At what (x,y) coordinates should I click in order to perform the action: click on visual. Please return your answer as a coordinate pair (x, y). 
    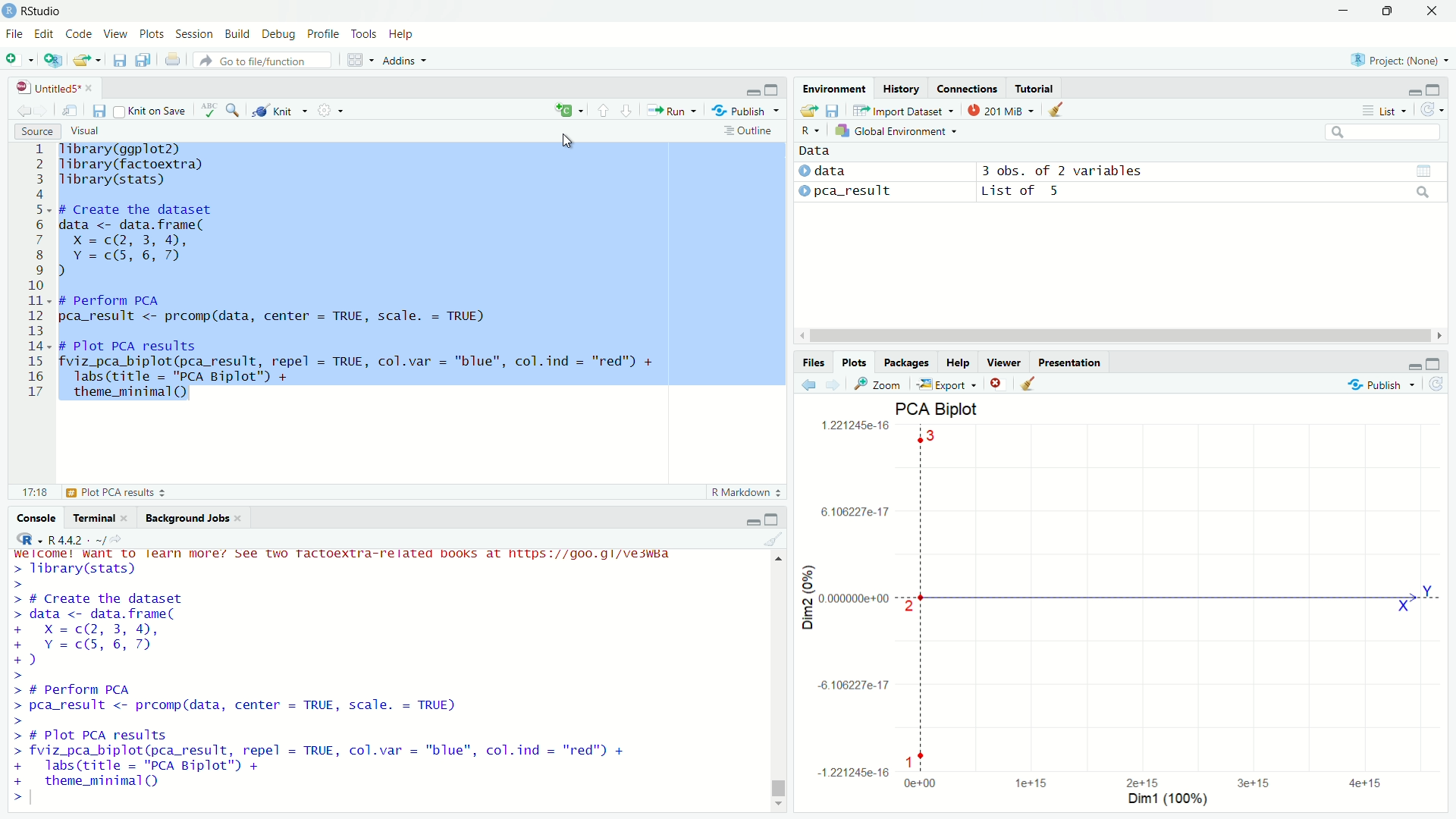
    Looking at the image, I should click on (86, 130).